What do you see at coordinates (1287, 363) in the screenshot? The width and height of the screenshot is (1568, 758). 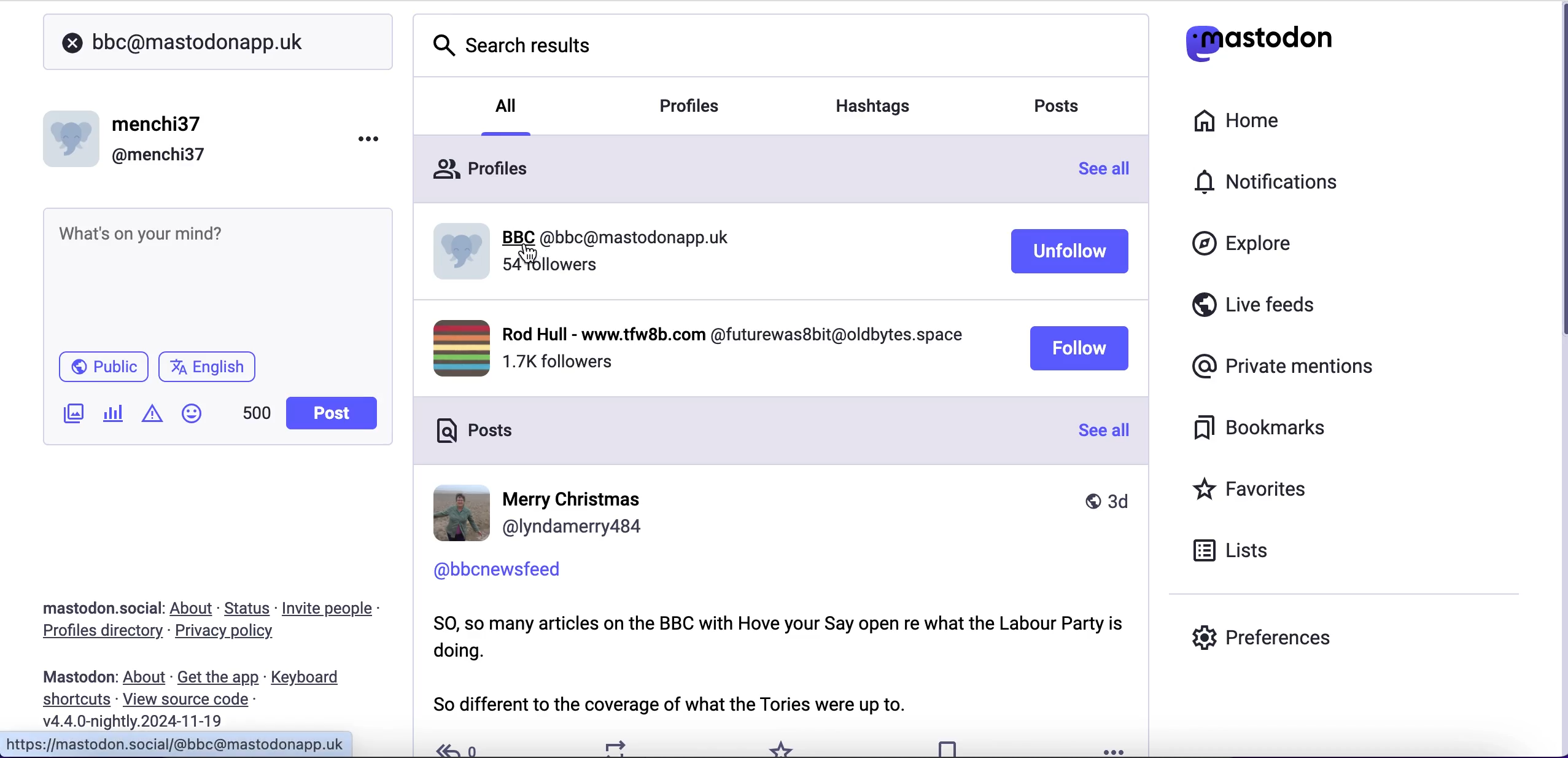 I see `private mentions` at bounding box center [1287, 363].